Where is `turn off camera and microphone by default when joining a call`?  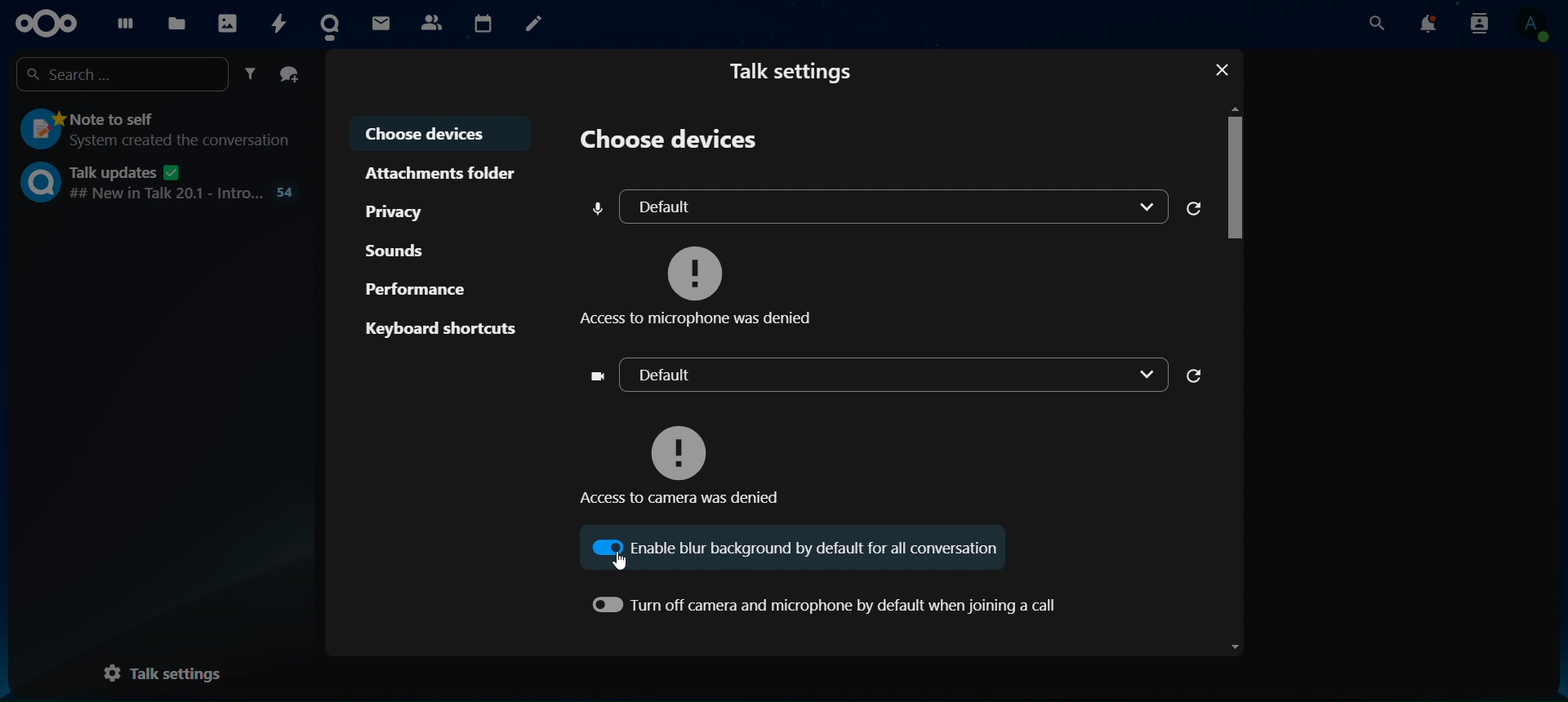 turn off camera and microphone by default when joining a call is located at coordinates (823, 602).